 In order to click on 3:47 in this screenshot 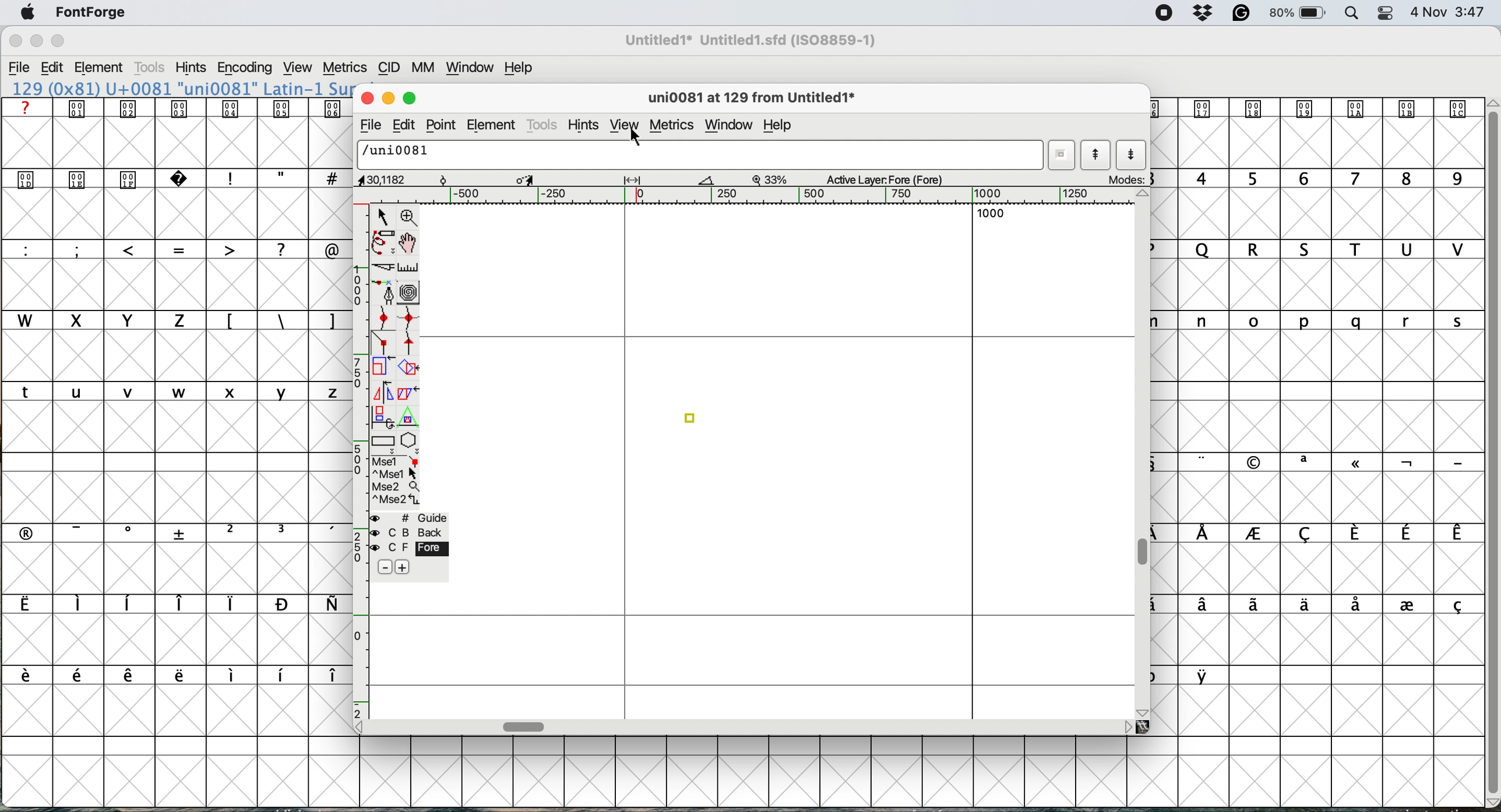, I will do `click(1469, 13)`.